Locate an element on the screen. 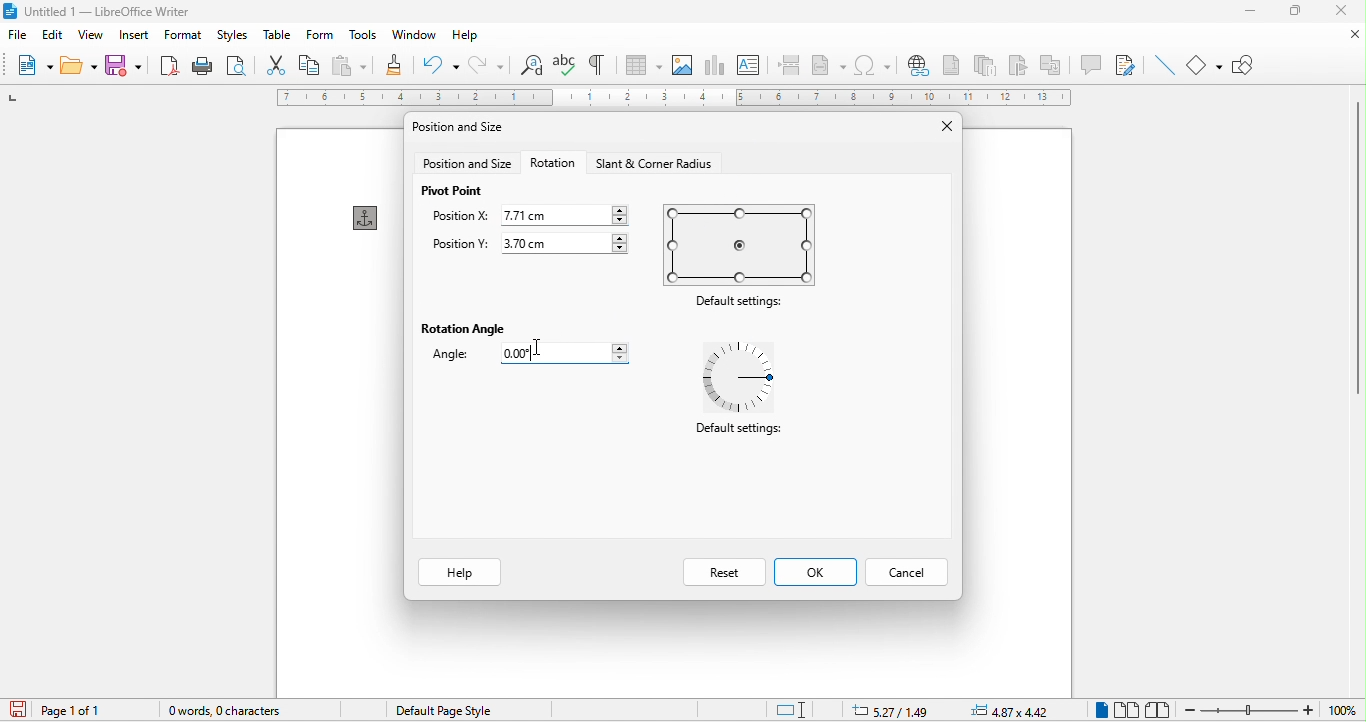 The width and height of the screenshot is (1366, 722). table is located at coordinates (643, 65).